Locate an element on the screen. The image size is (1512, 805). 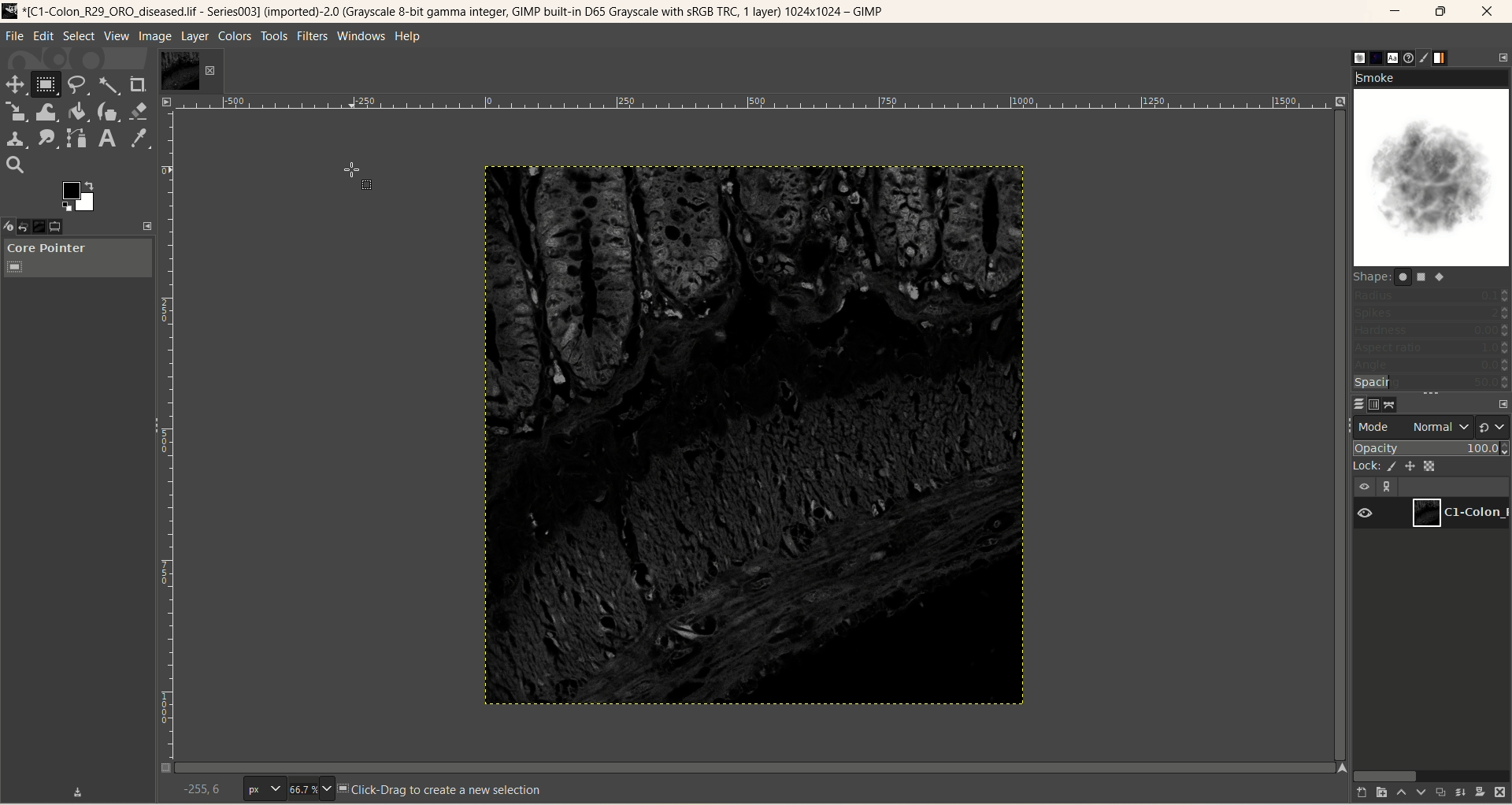
font is located at coordinates (1394, 57).